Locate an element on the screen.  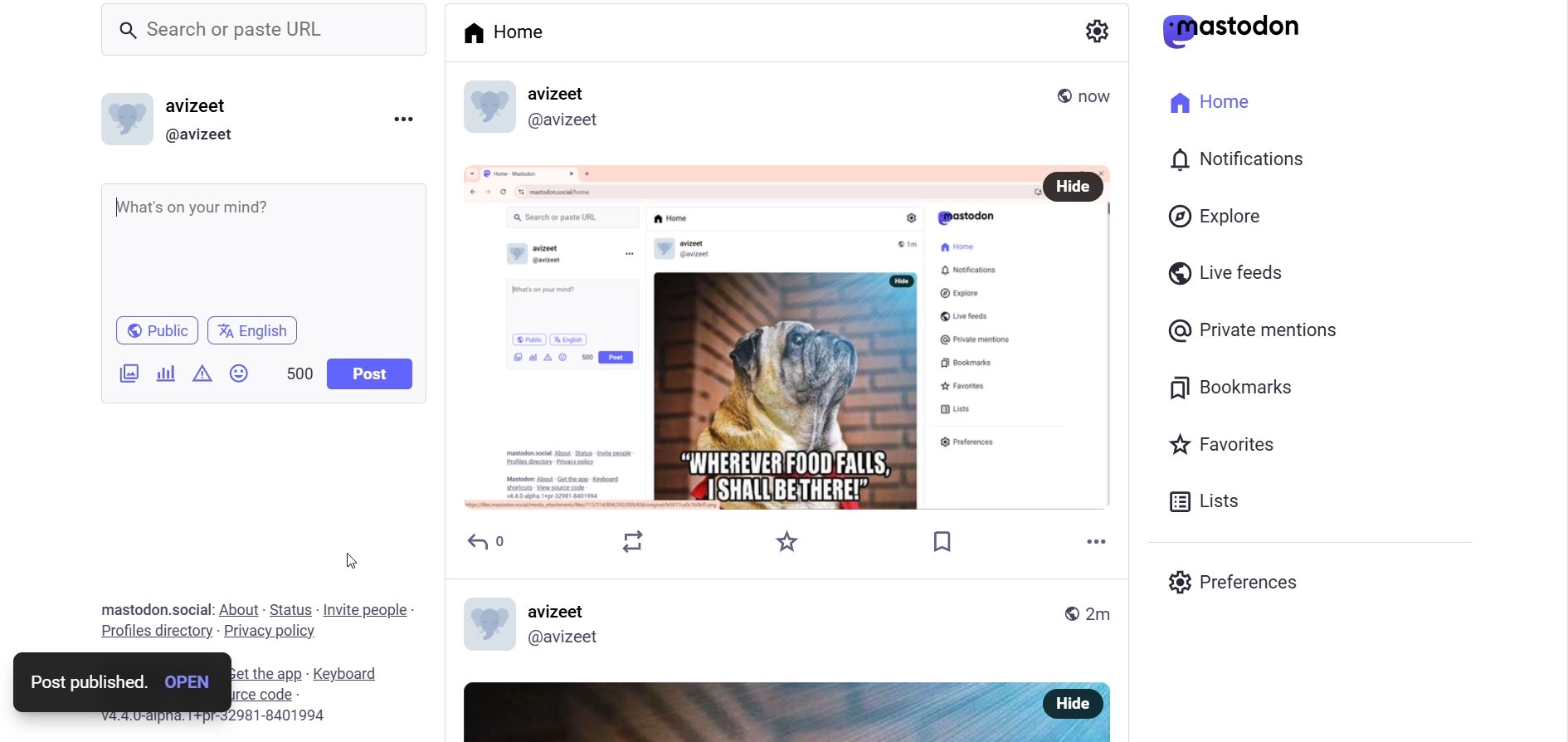
display picture is located at coordinates (126, 118).